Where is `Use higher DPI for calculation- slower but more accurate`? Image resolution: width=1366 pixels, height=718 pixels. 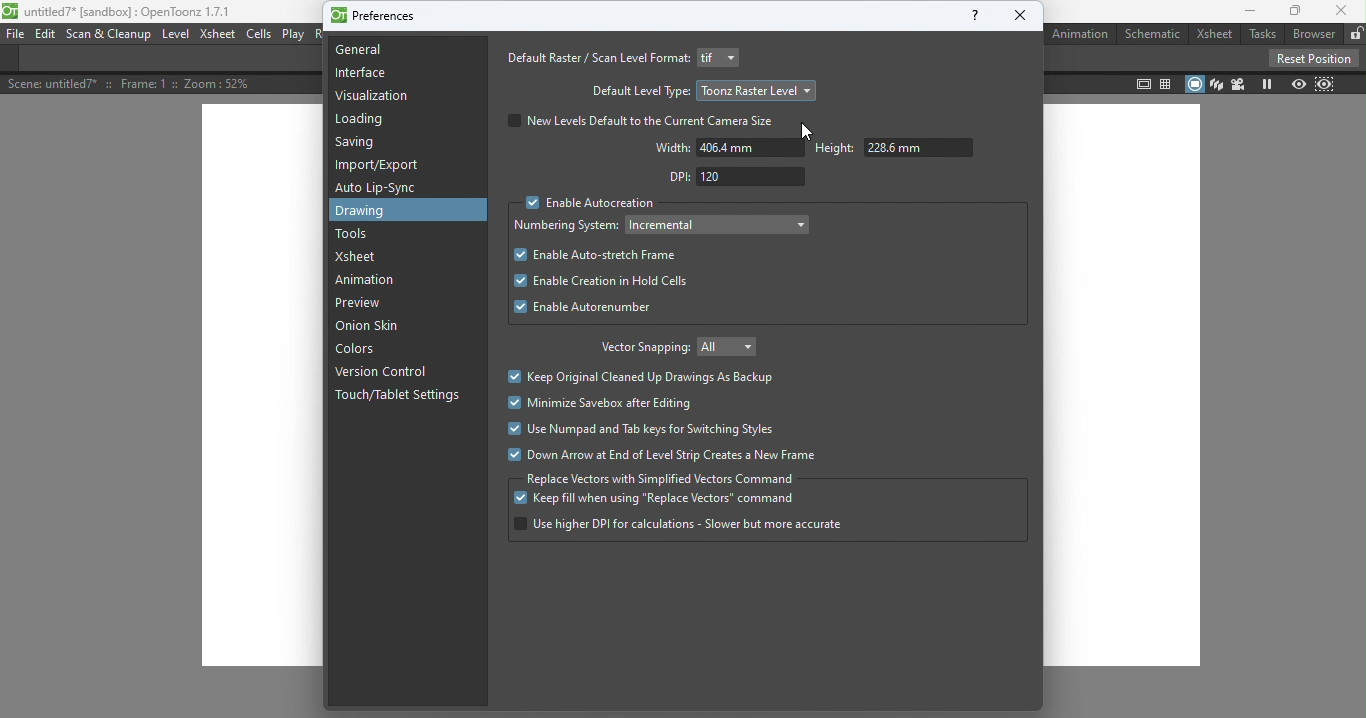
Use higher DPI for calculation- slower but more accurate is located at coordinates (677, 525).